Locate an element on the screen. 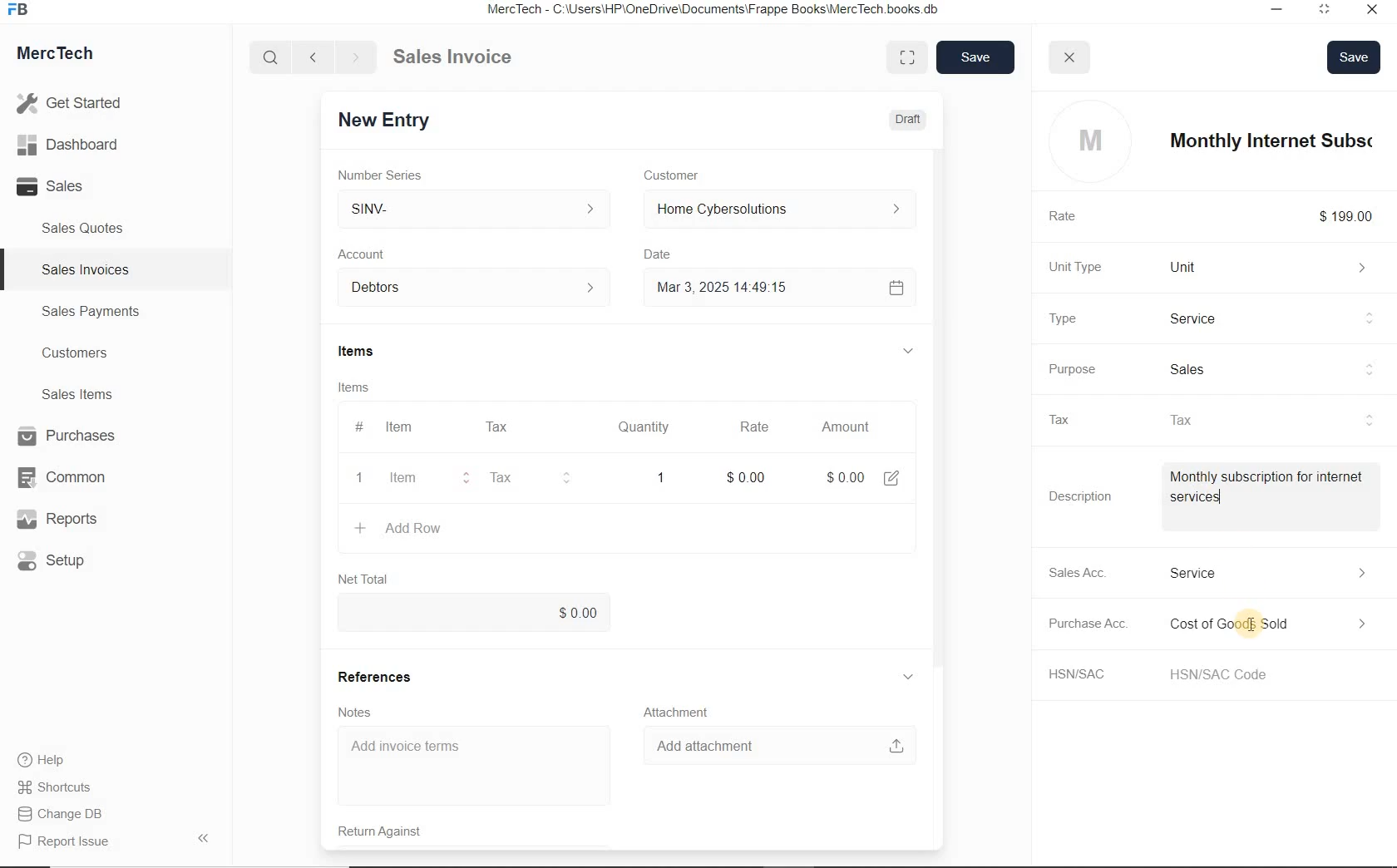  Sales Items is located at coordinates (88, 394).